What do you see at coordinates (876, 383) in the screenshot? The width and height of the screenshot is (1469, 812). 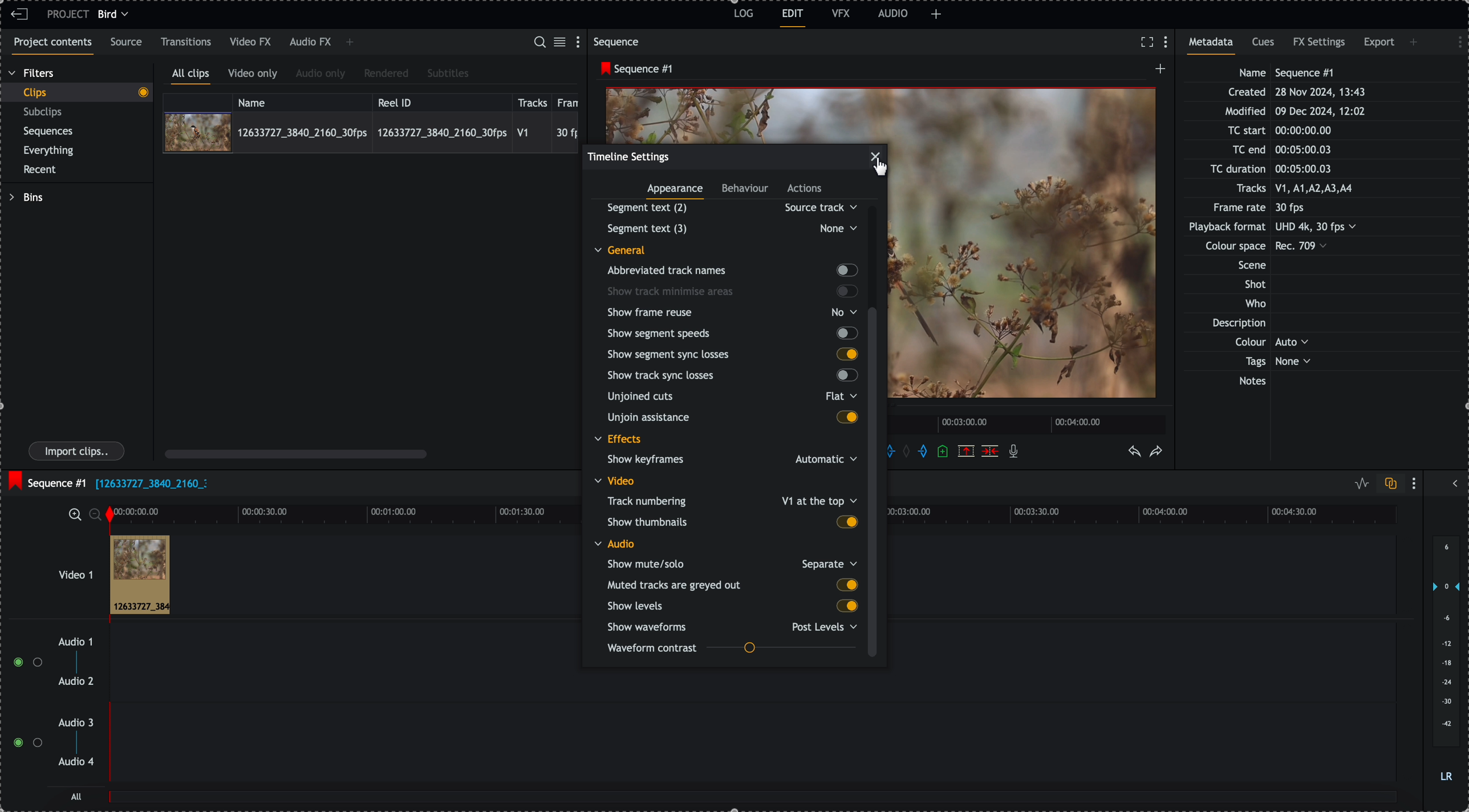 I see `click on scroll bar` at bounding box center [876, 383].